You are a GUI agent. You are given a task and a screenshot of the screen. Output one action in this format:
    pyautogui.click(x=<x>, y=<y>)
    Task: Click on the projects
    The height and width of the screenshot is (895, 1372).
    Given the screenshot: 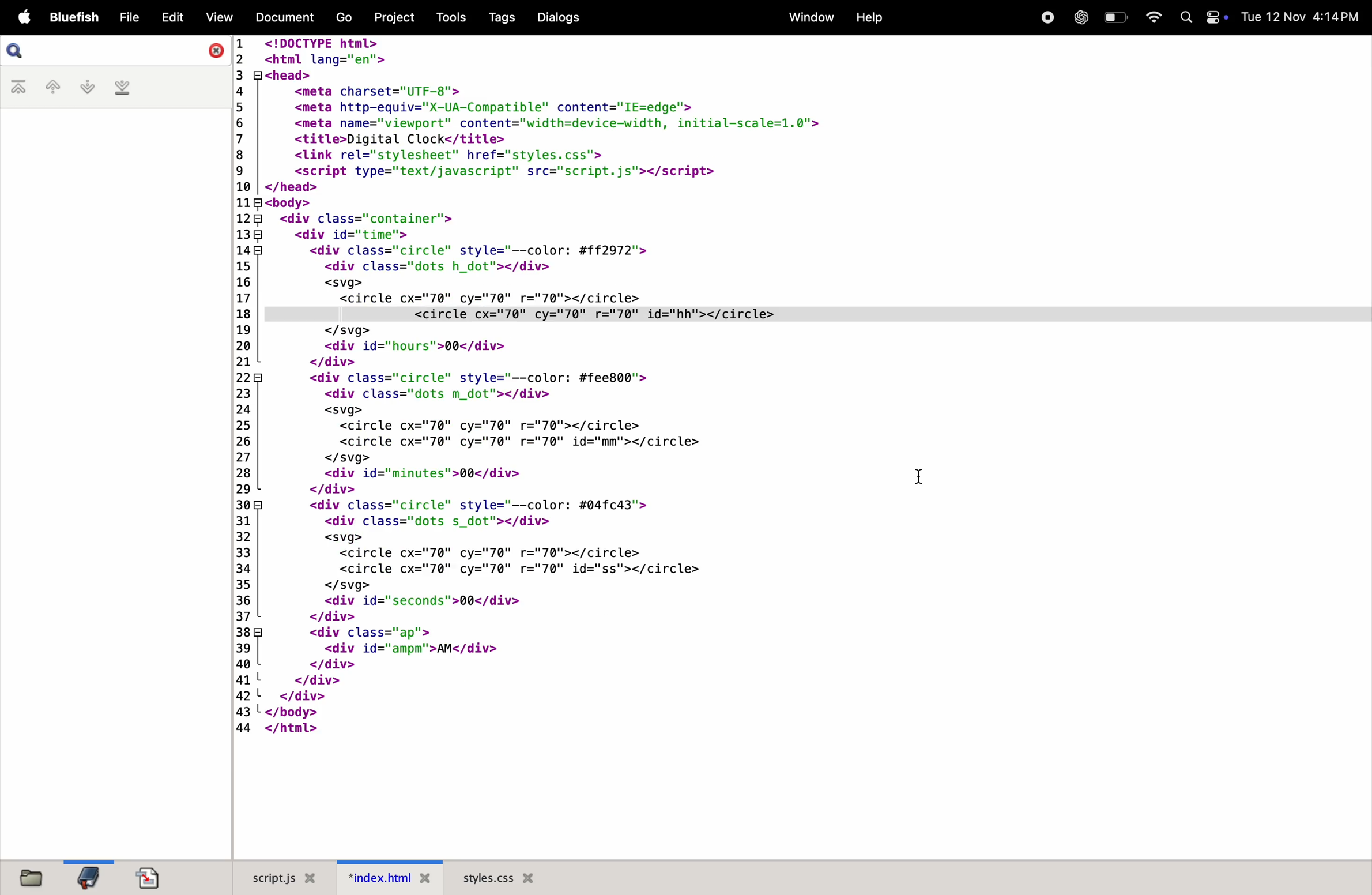 What is the action you would take?
    pyautogui.click(x=392, y=17)
    